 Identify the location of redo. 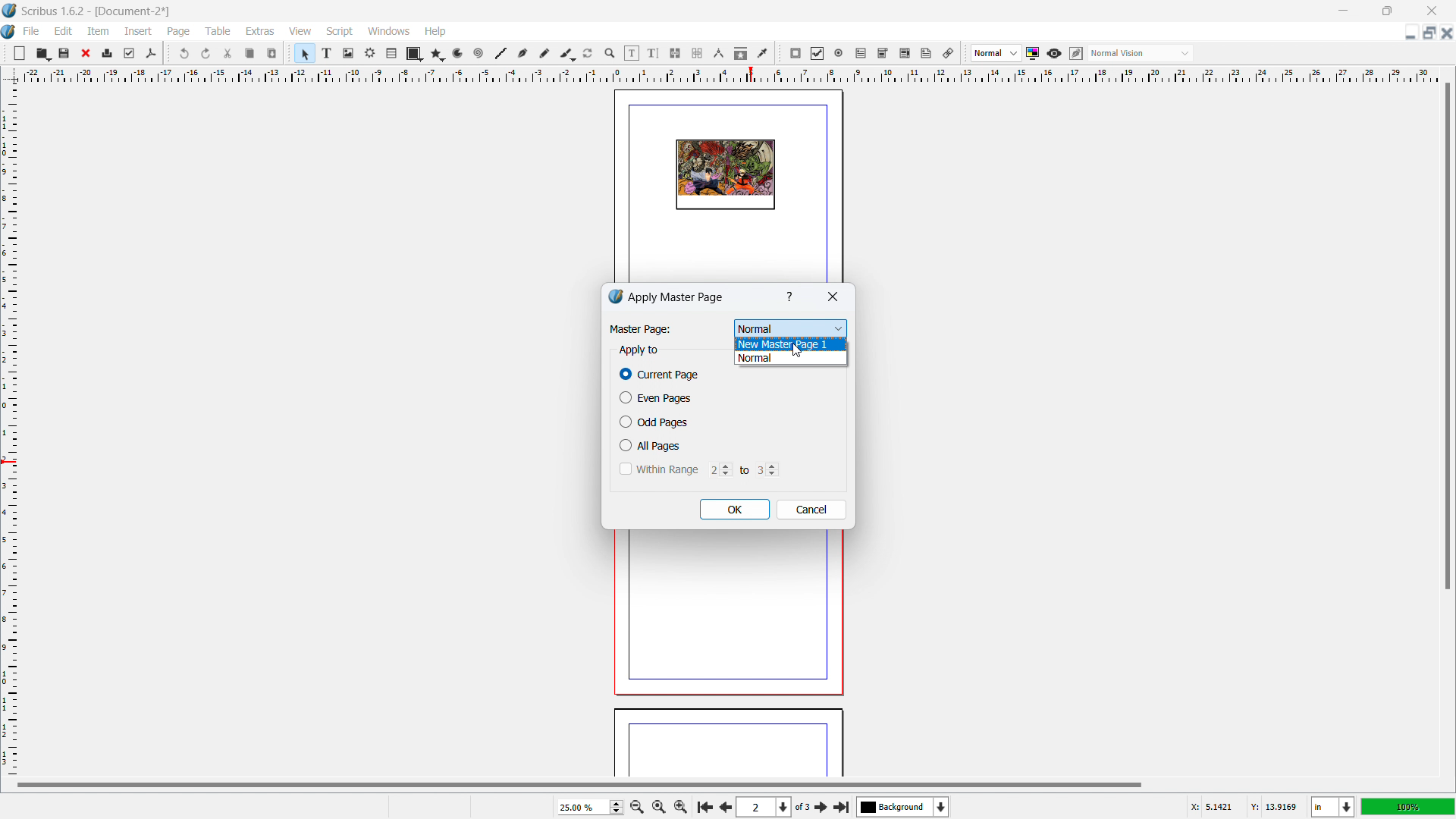
(206, 54).